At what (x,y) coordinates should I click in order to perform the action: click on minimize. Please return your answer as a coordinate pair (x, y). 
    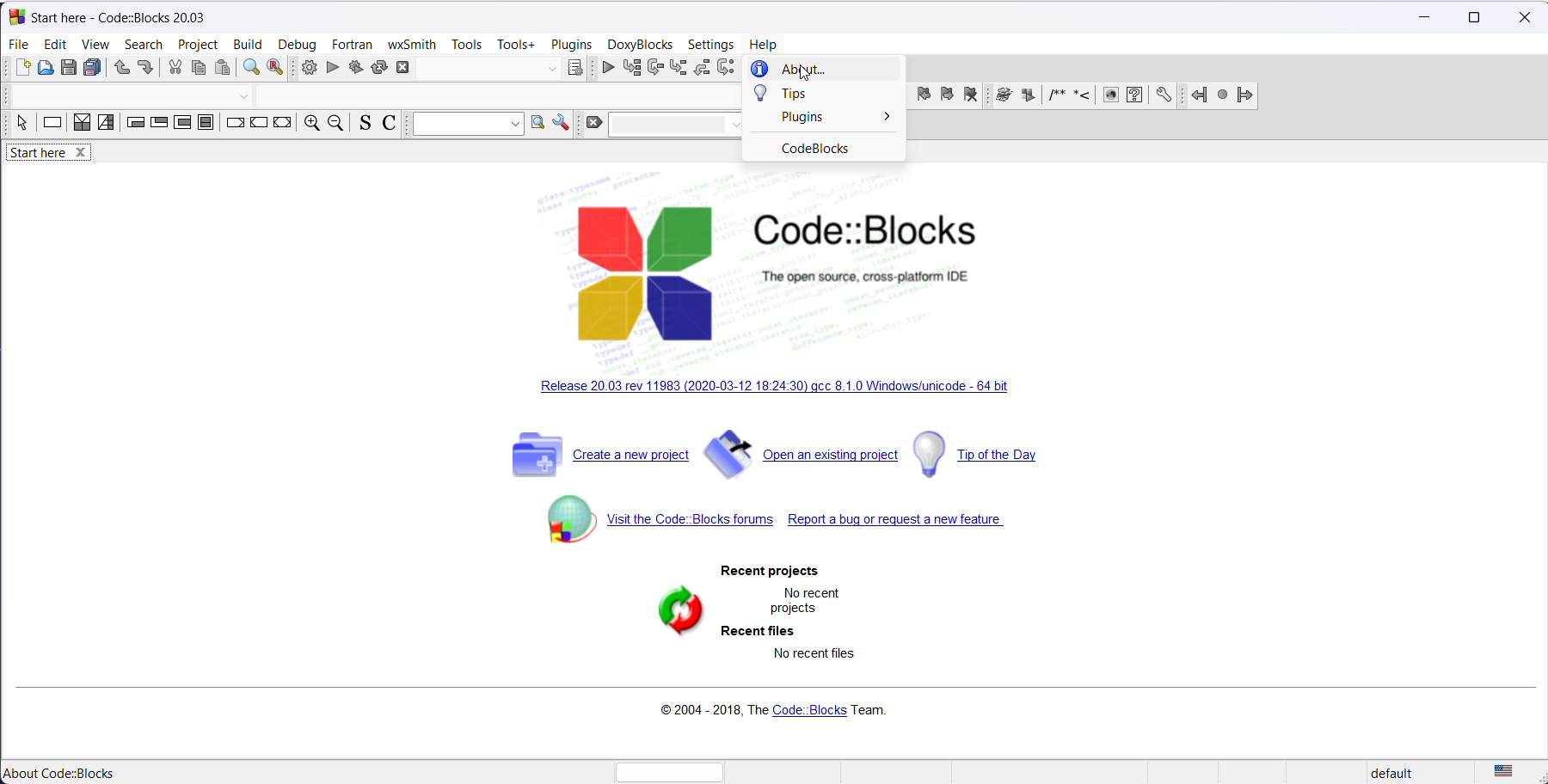
    Looking at the image, I should click on (1425, 15).